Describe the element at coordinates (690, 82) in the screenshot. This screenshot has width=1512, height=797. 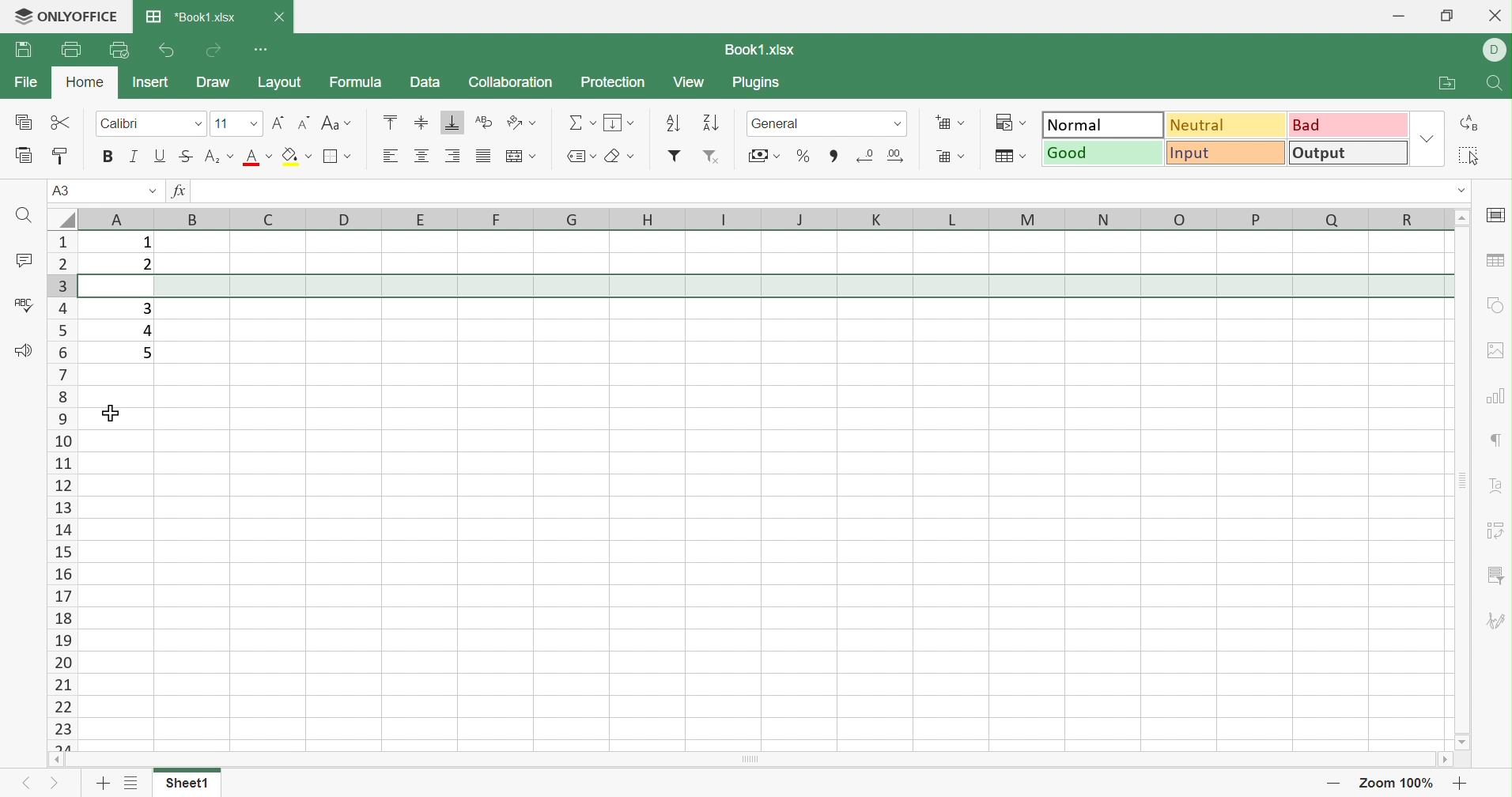
I see `View` at that location.